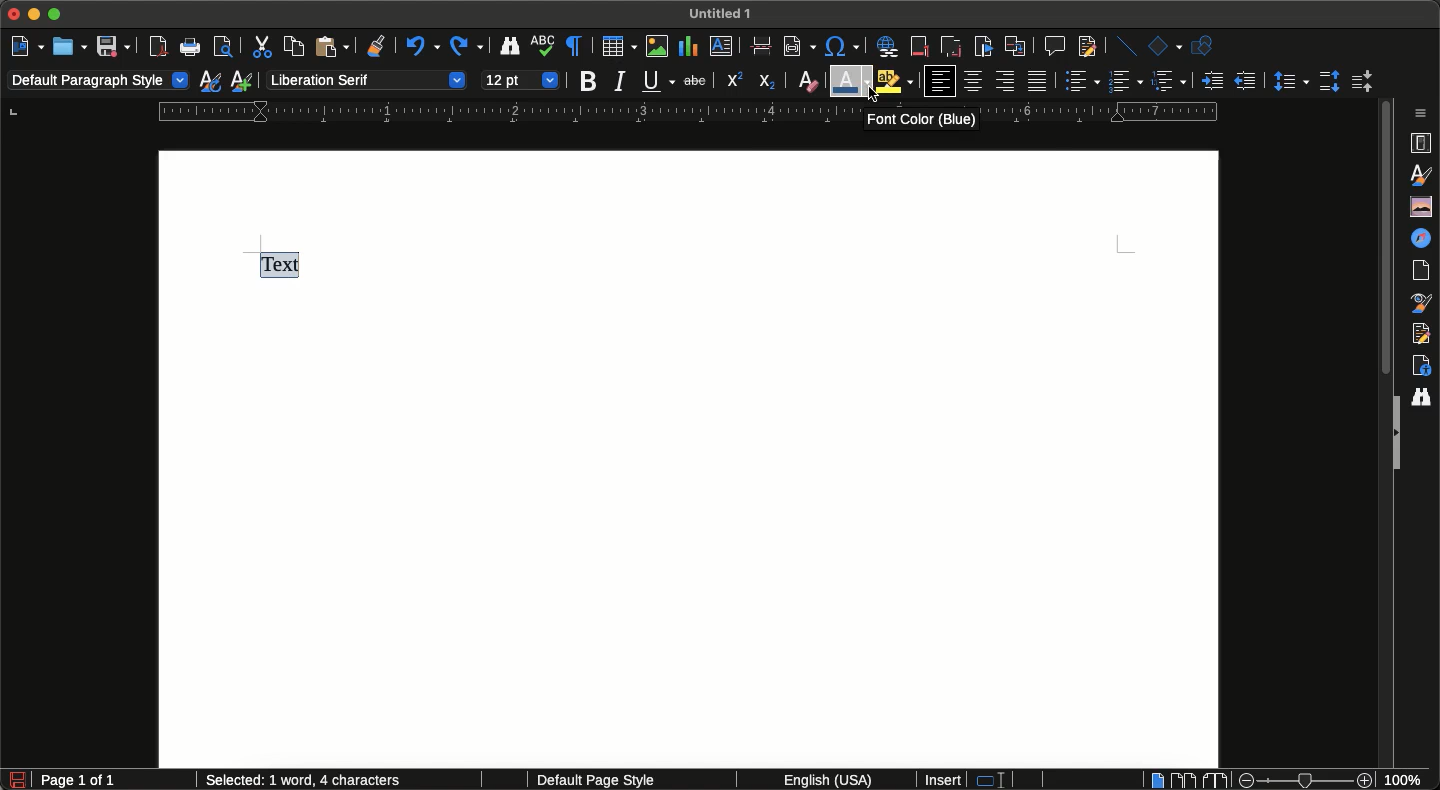 The image size is (1440, 790). I want to click on Save, so click(113, 46).